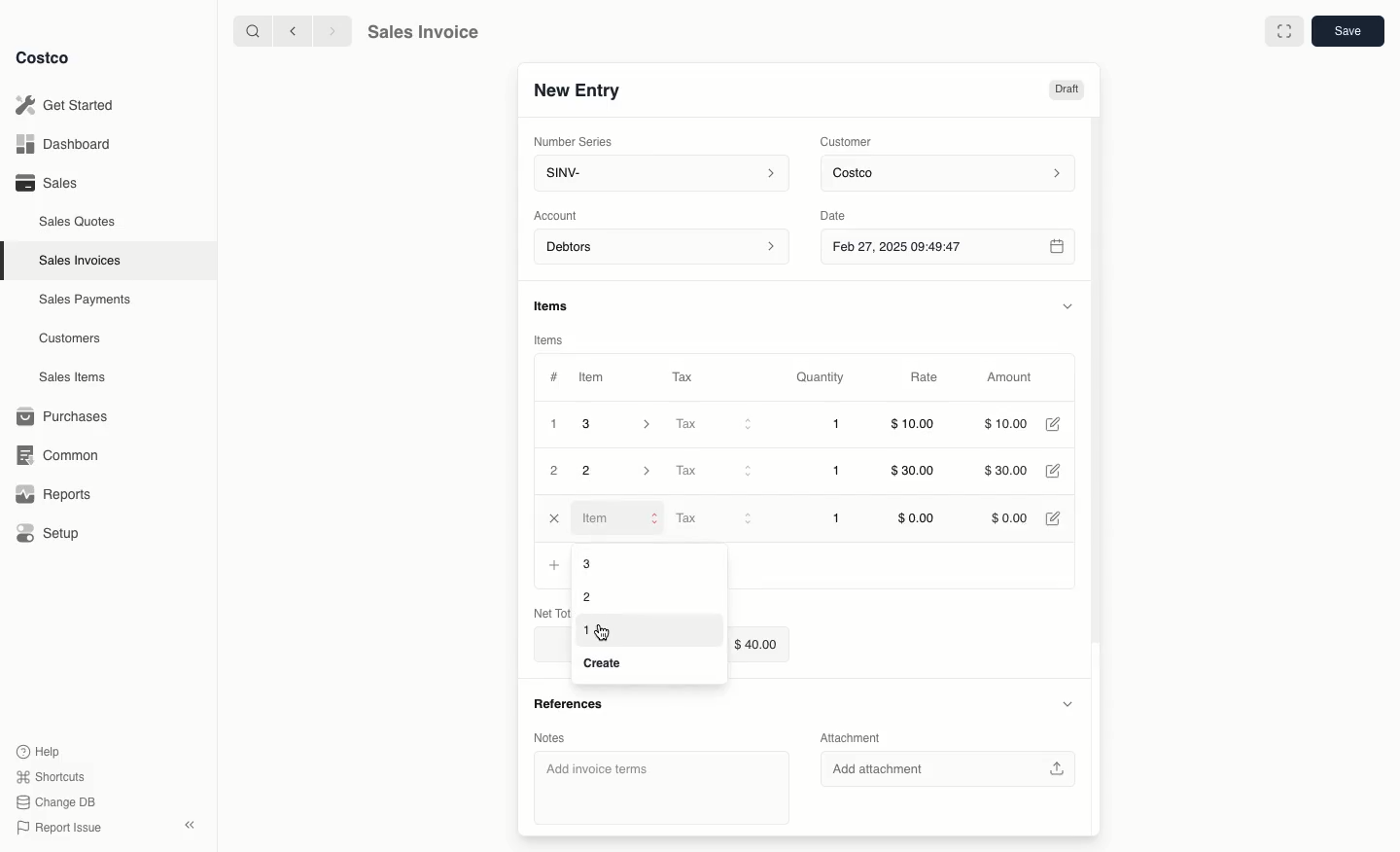 This screenshot has height=852, width=1400. Describe the element at coordinates (1004, 472) in the screenshot. I see `$30.00` at that location.